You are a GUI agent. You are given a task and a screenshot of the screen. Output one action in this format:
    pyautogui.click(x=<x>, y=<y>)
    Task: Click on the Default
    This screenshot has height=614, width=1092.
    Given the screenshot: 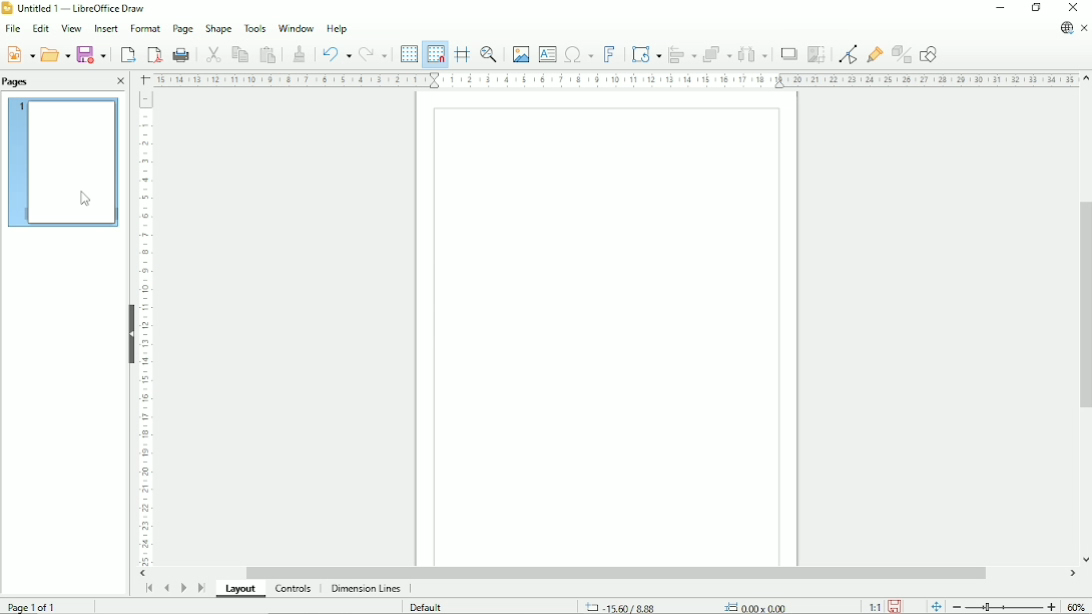 What is the action you would take?
    pyautogui.click(x=428, y=607)
    